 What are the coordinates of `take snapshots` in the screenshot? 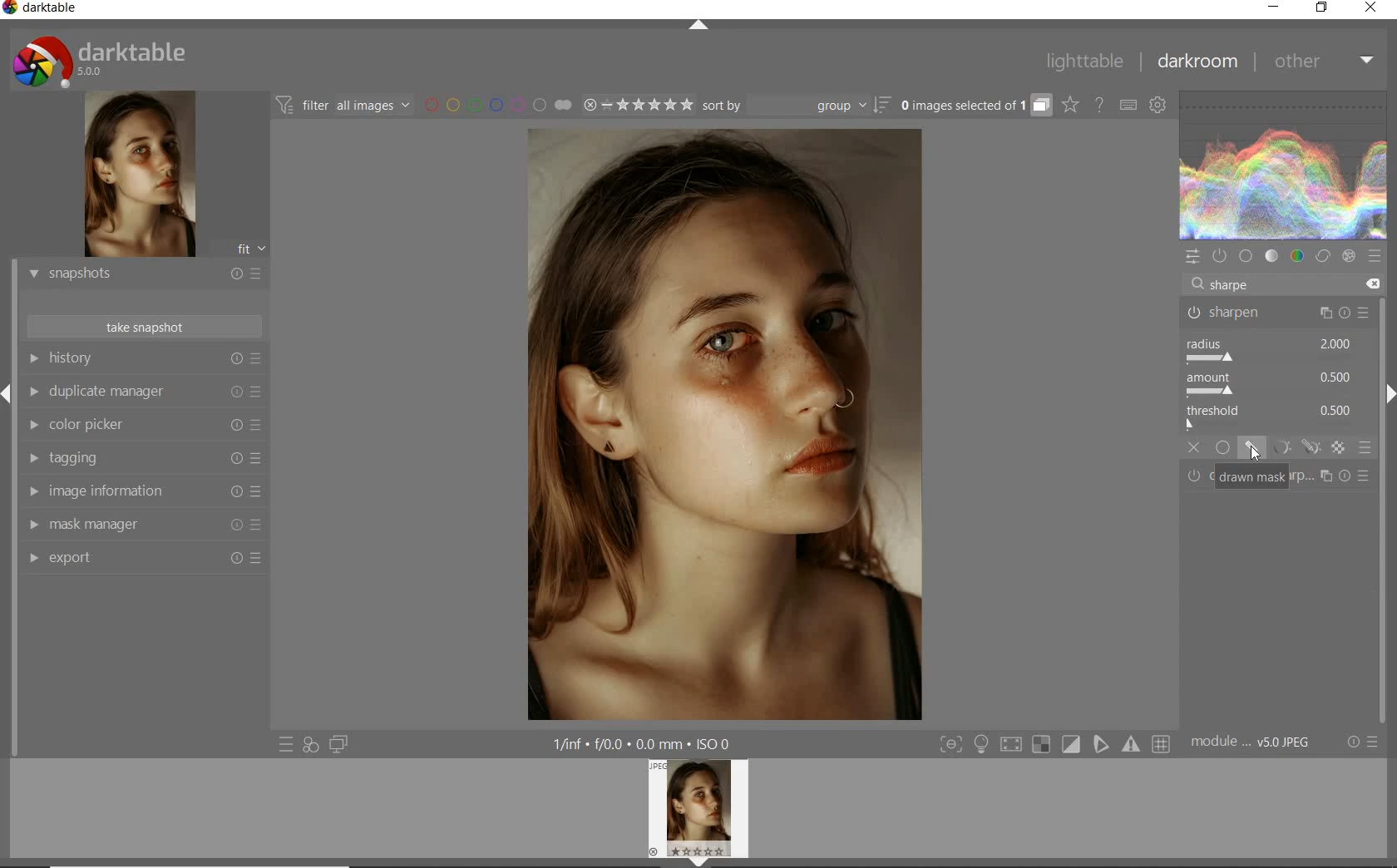 It's located at (146, 327).